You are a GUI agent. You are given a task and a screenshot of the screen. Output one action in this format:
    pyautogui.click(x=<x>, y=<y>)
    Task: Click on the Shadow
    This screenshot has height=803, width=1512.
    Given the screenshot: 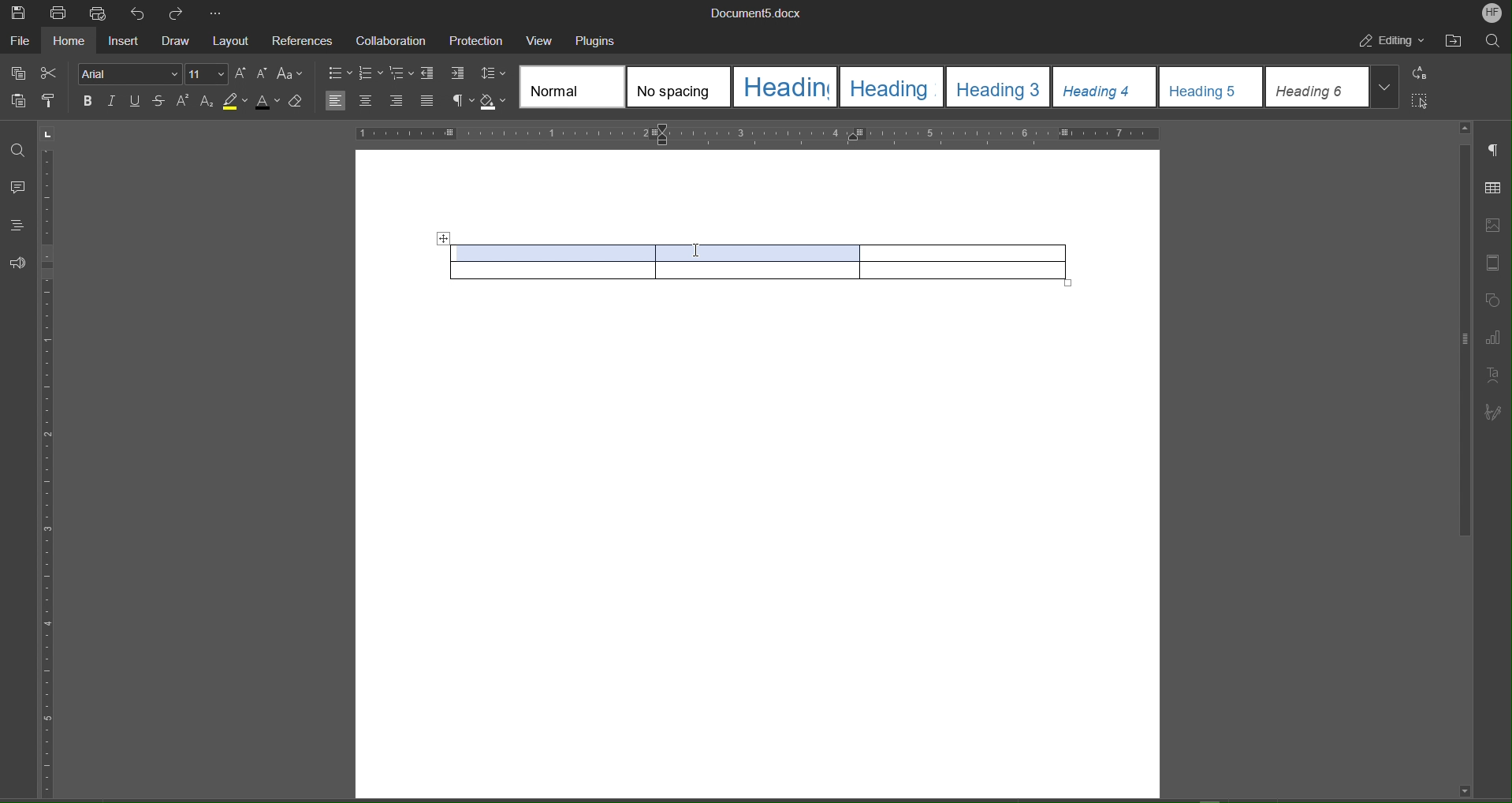 What is the action you would take?
    pyautogui.click(x=496, y=102)
    